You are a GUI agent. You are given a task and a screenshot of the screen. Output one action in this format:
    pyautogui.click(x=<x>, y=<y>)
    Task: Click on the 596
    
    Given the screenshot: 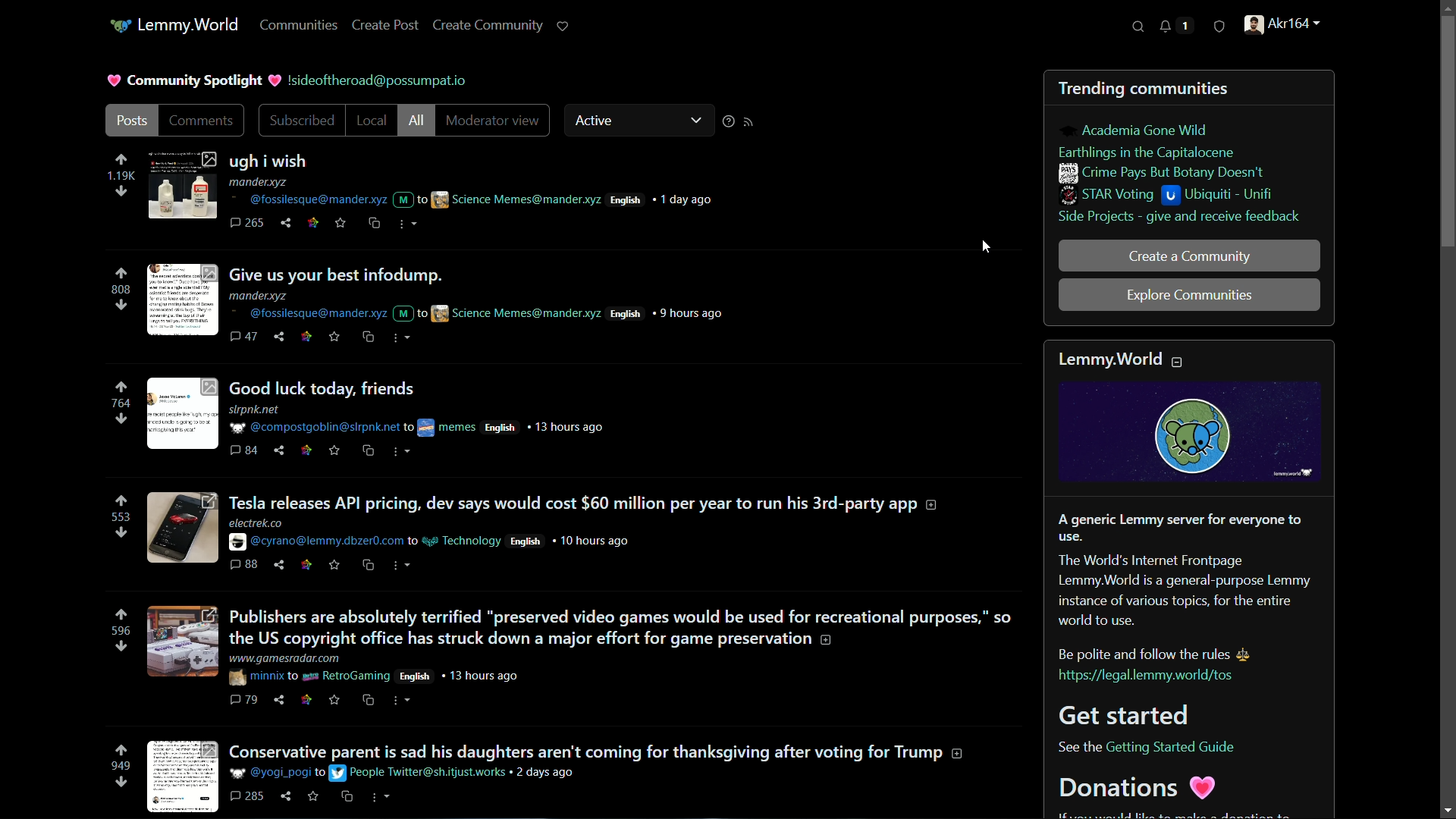 What is the action you would take?
    pyautogui.click(x=119, y=632)
    